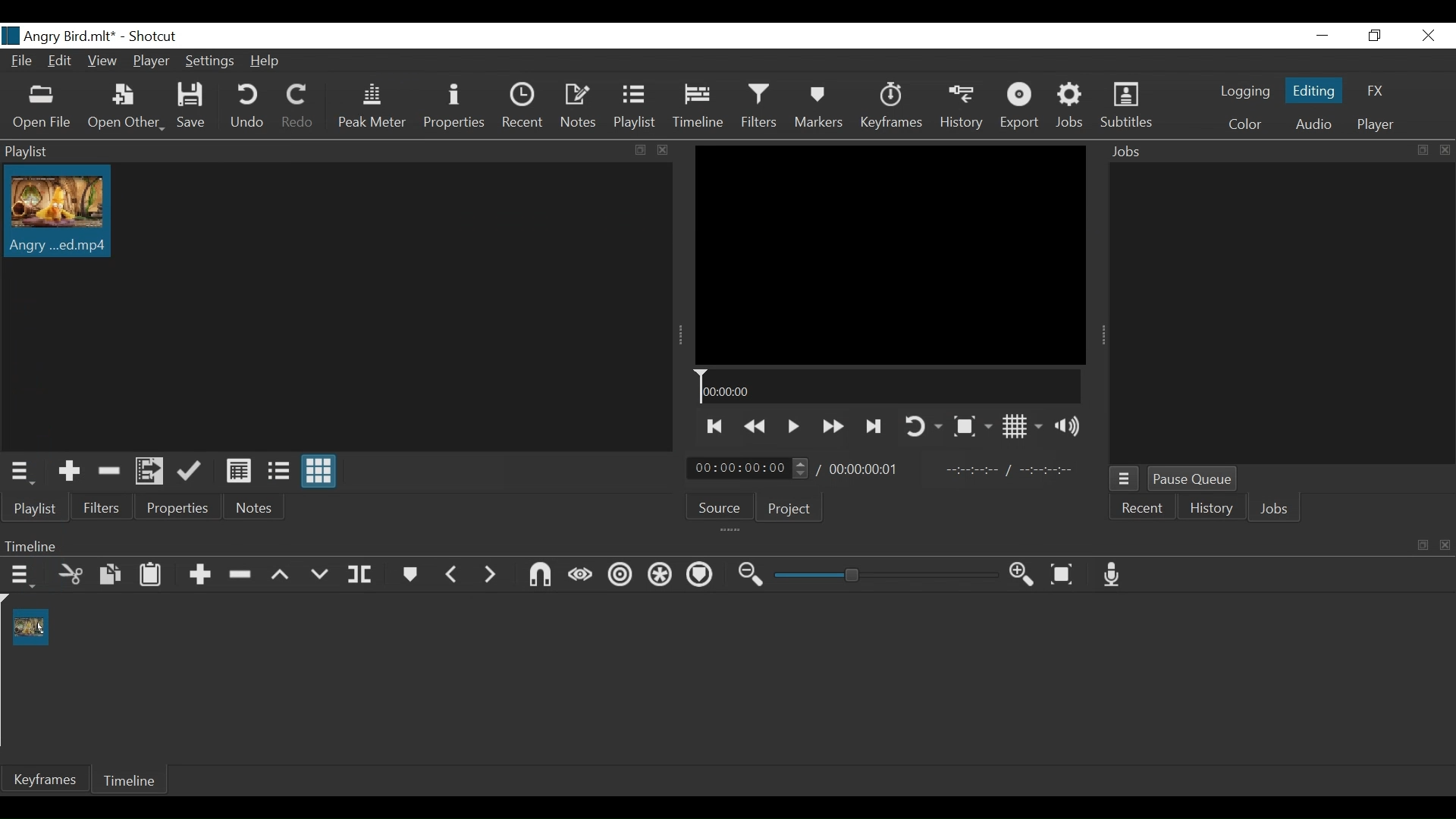 The image size is (1456, 819). I want to click on View, so click(104, 61).